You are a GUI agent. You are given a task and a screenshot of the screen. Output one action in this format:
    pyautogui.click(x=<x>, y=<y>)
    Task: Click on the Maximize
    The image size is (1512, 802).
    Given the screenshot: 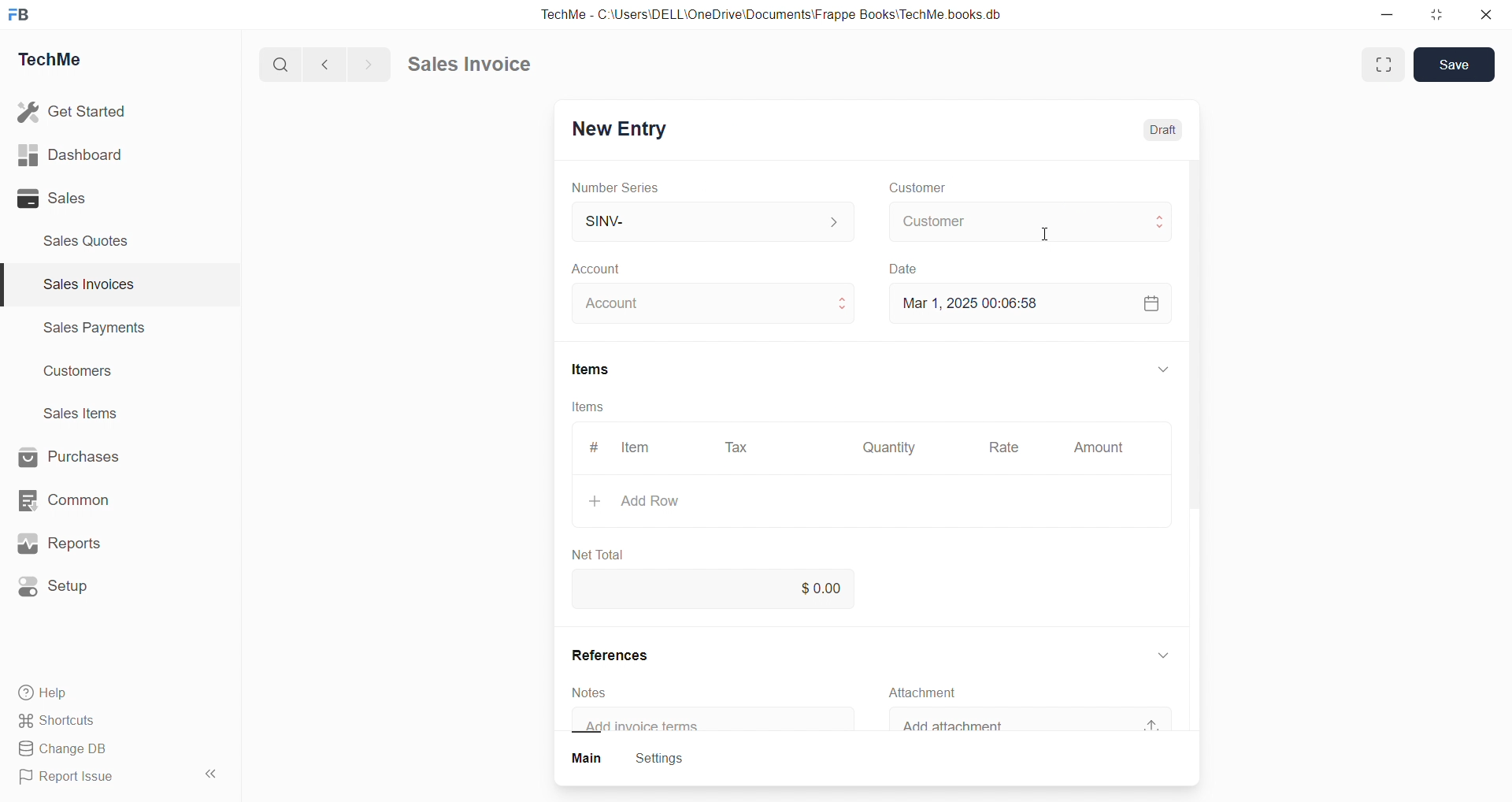 What is the action you would take?
    pyautogui.click(x=1439, y=18)
    